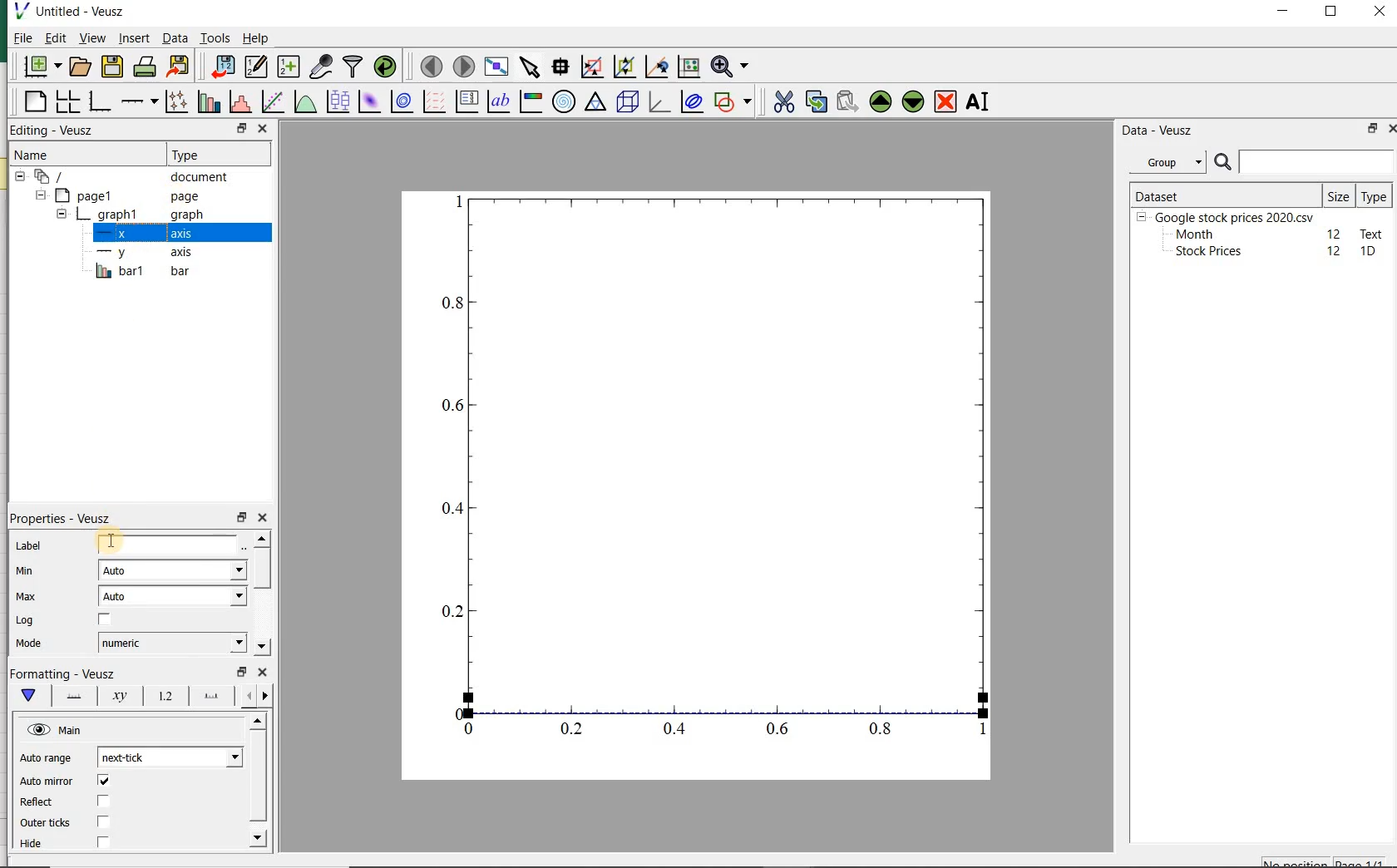 The height and width of the screenshot is (868, 1397). Describe the element at coordinates (733, 67) in the screenshot. I see `zoom function menus` at that location.